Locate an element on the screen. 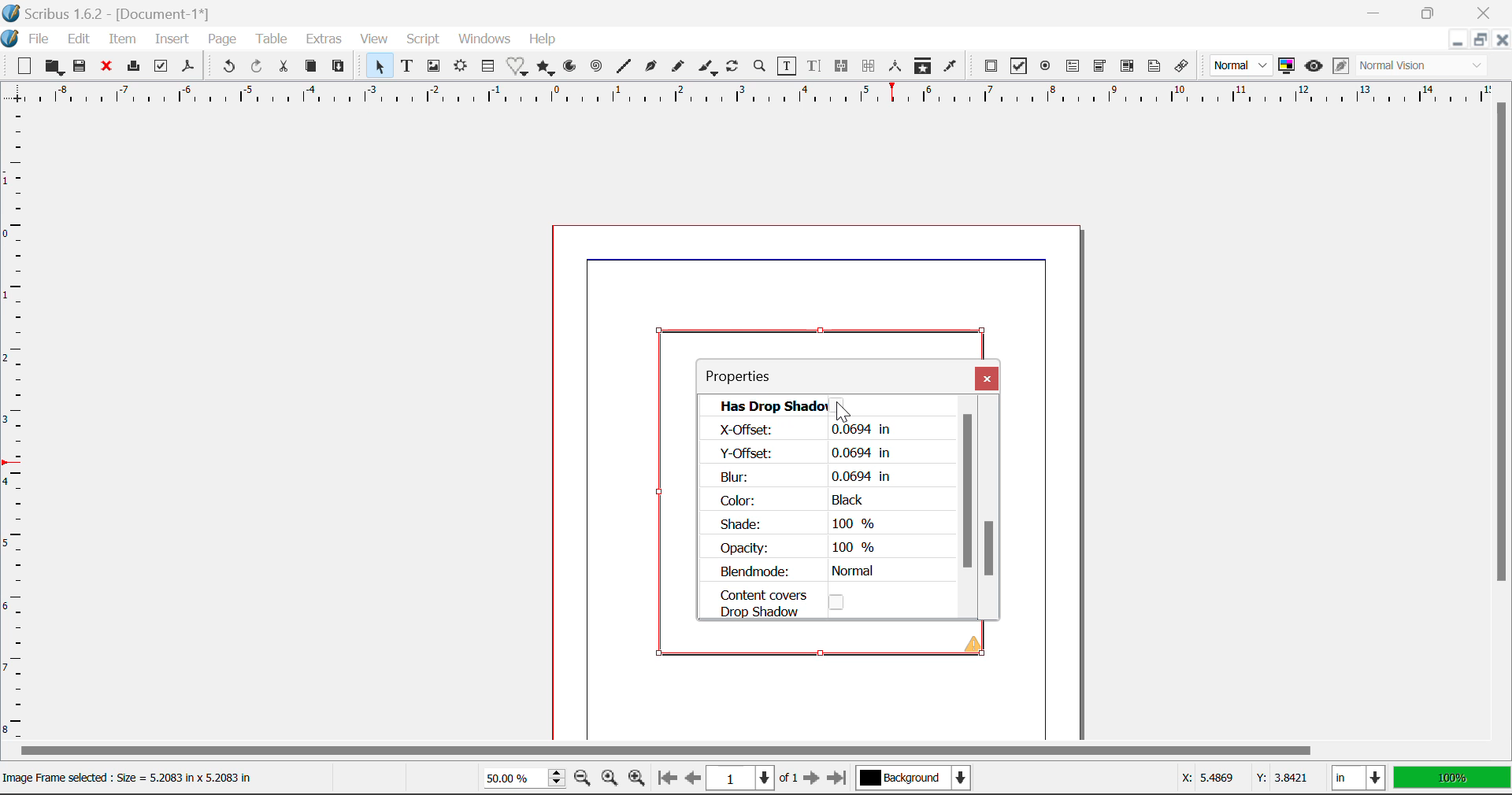 The image size is (1512, 795). Item is located at coordinates (123, 40).